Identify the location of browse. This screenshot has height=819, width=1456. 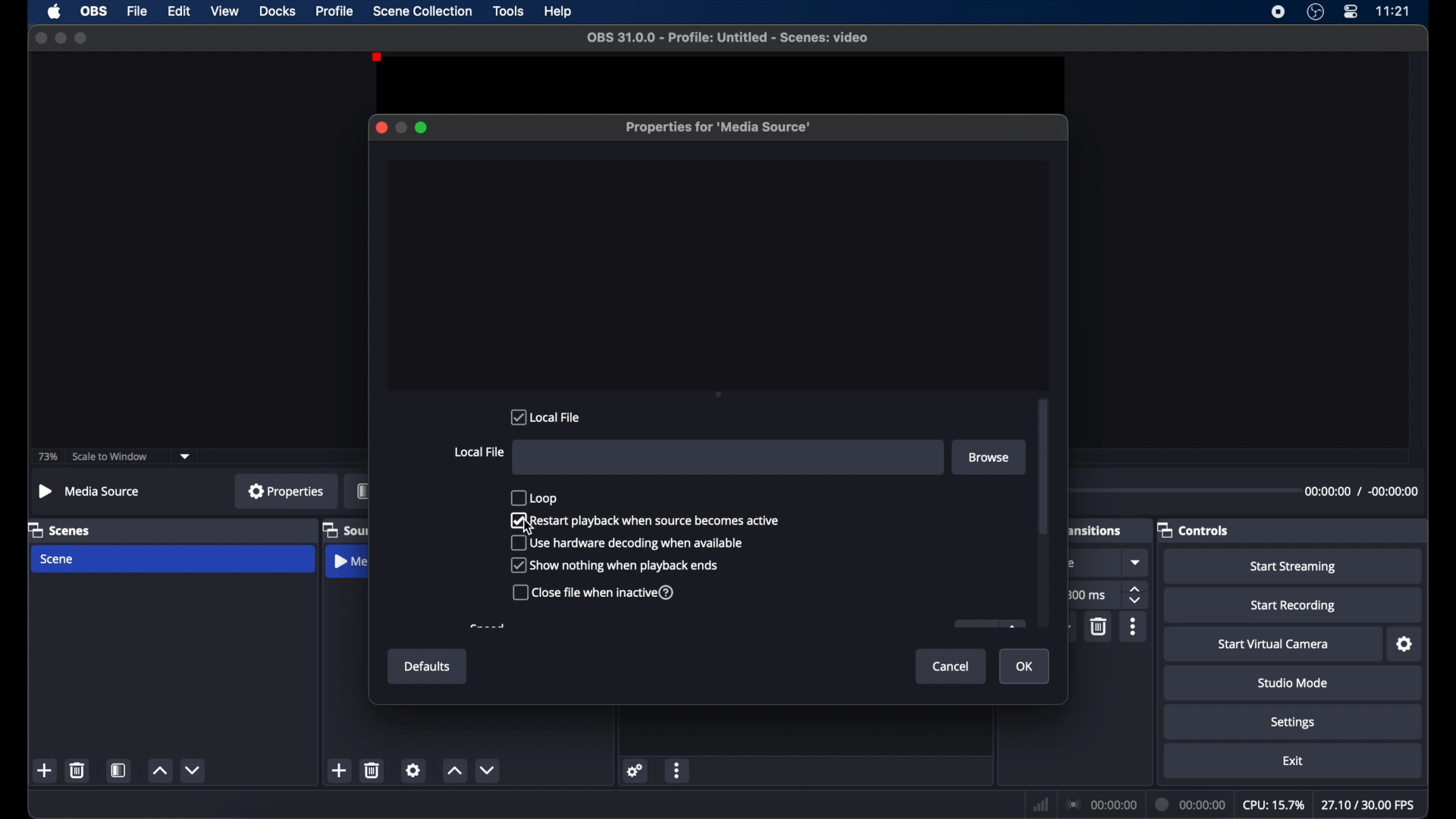
(989, 457).